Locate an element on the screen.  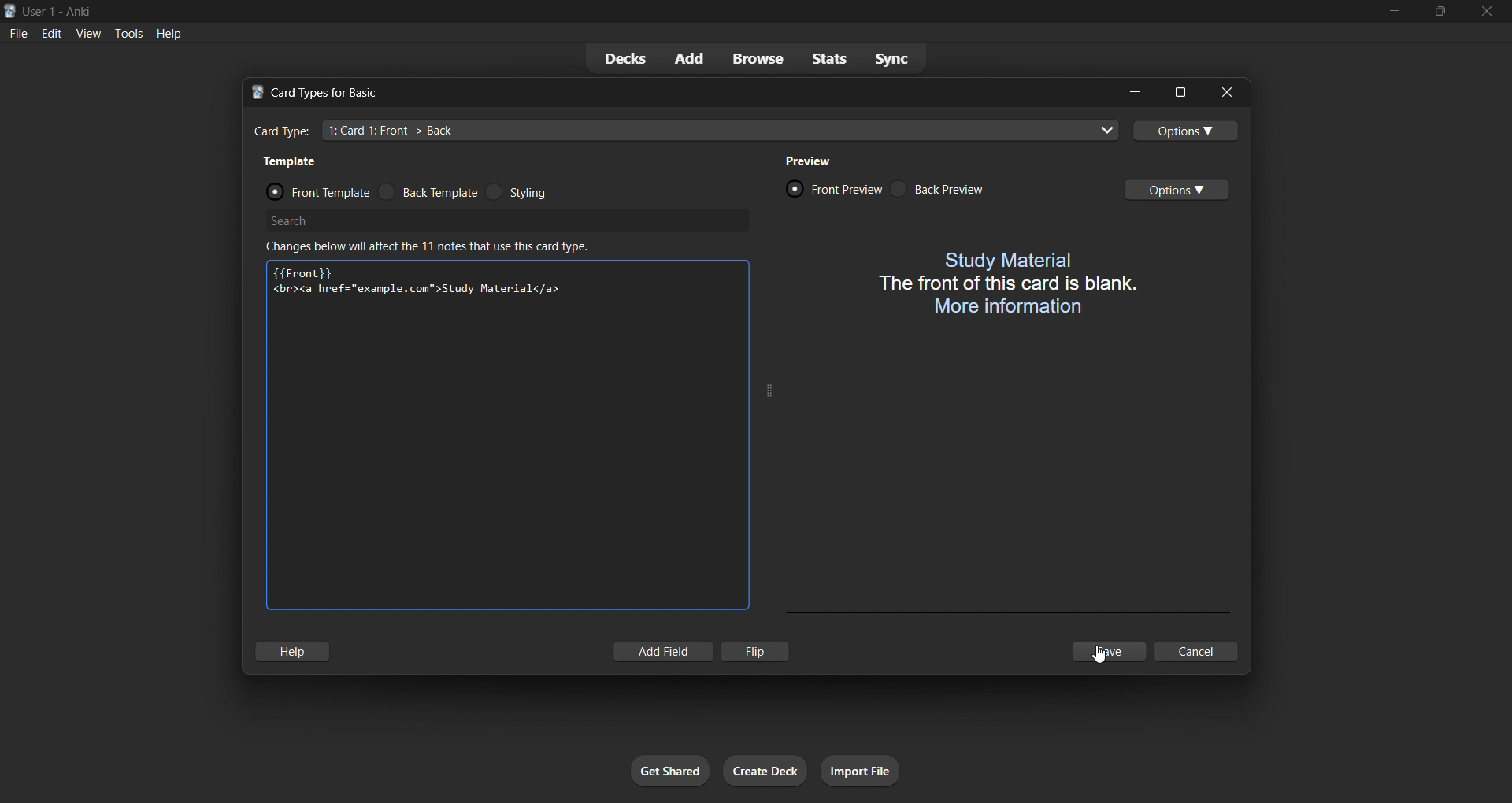
decks is located at coordinates (625, 60).